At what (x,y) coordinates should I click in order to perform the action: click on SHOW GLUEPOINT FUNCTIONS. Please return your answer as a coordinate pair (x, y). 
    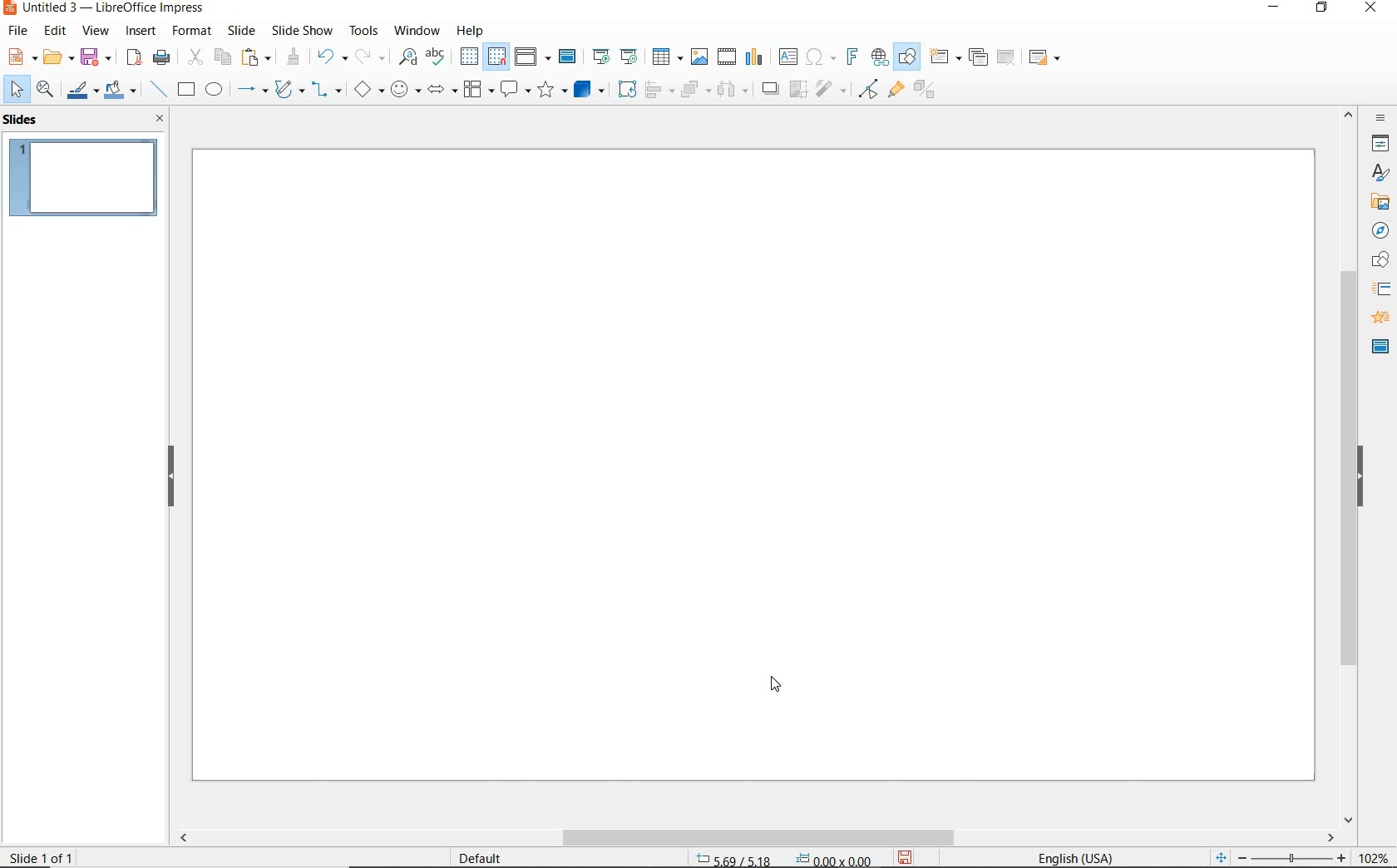
    Looking at the image, I should click on (896, 90).